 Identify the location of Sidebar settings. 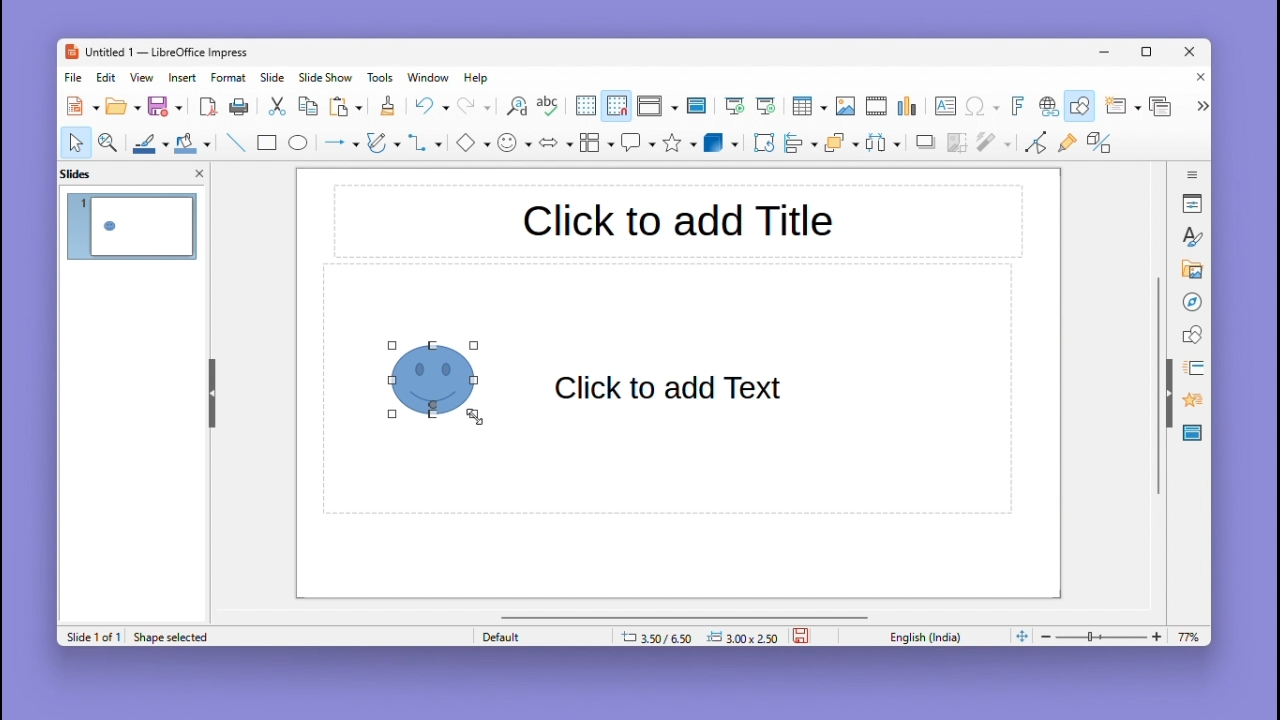
(1193, 172).